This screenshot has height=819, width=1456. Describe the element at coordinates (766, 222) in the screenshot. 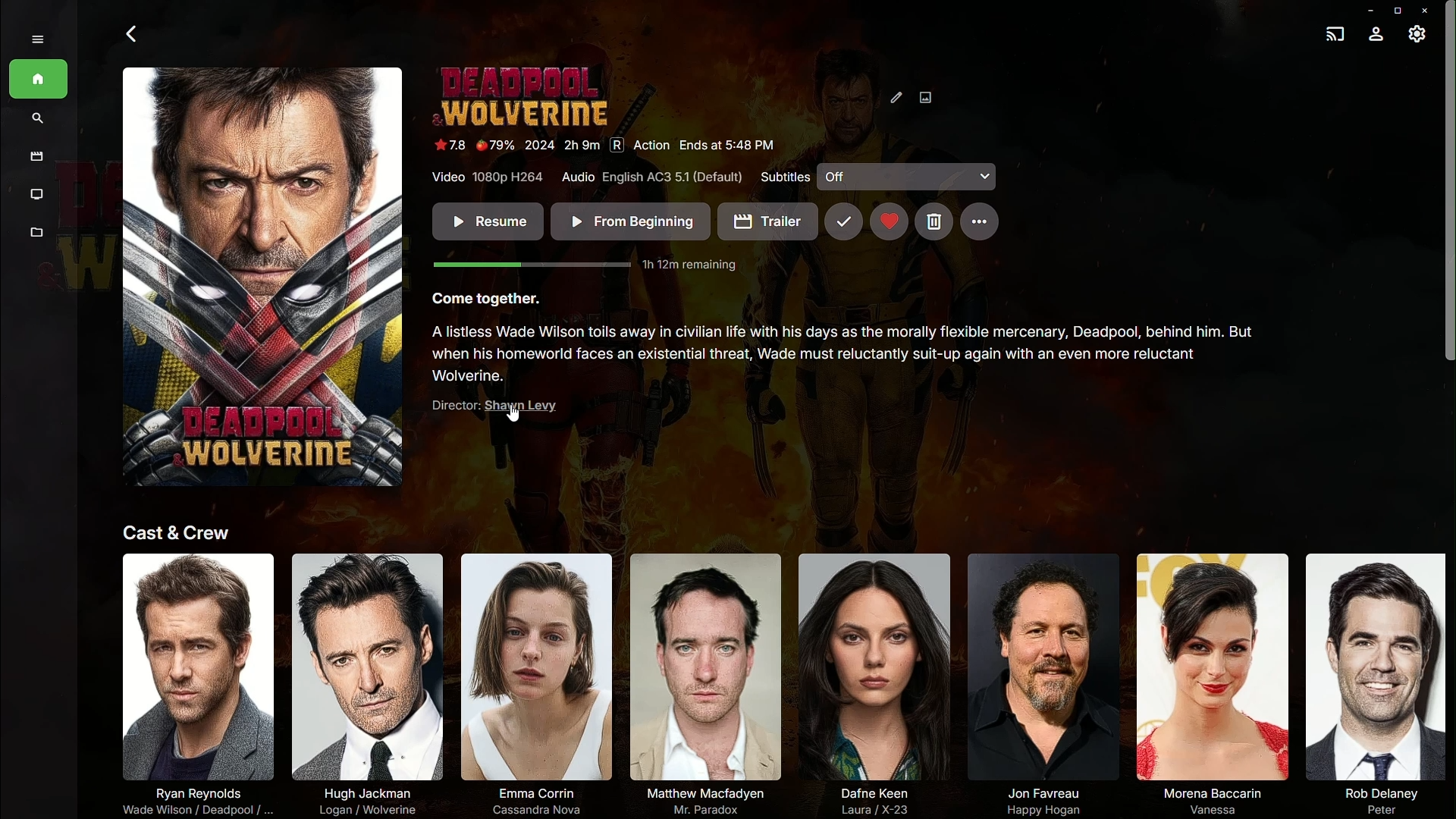

I see `Trailer` at that location.